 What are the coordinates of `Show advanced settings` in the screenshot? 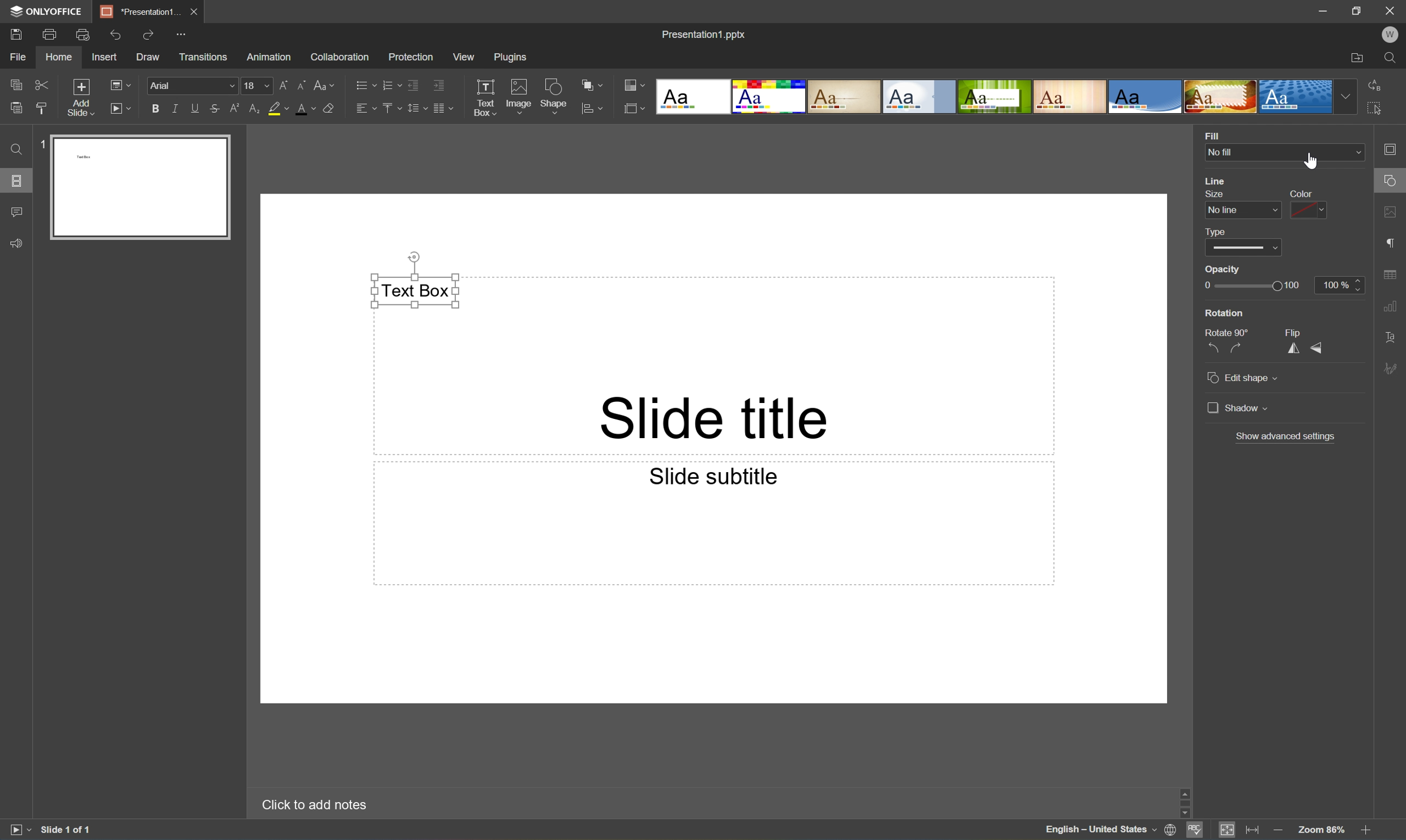 It's located at (1289, 438).